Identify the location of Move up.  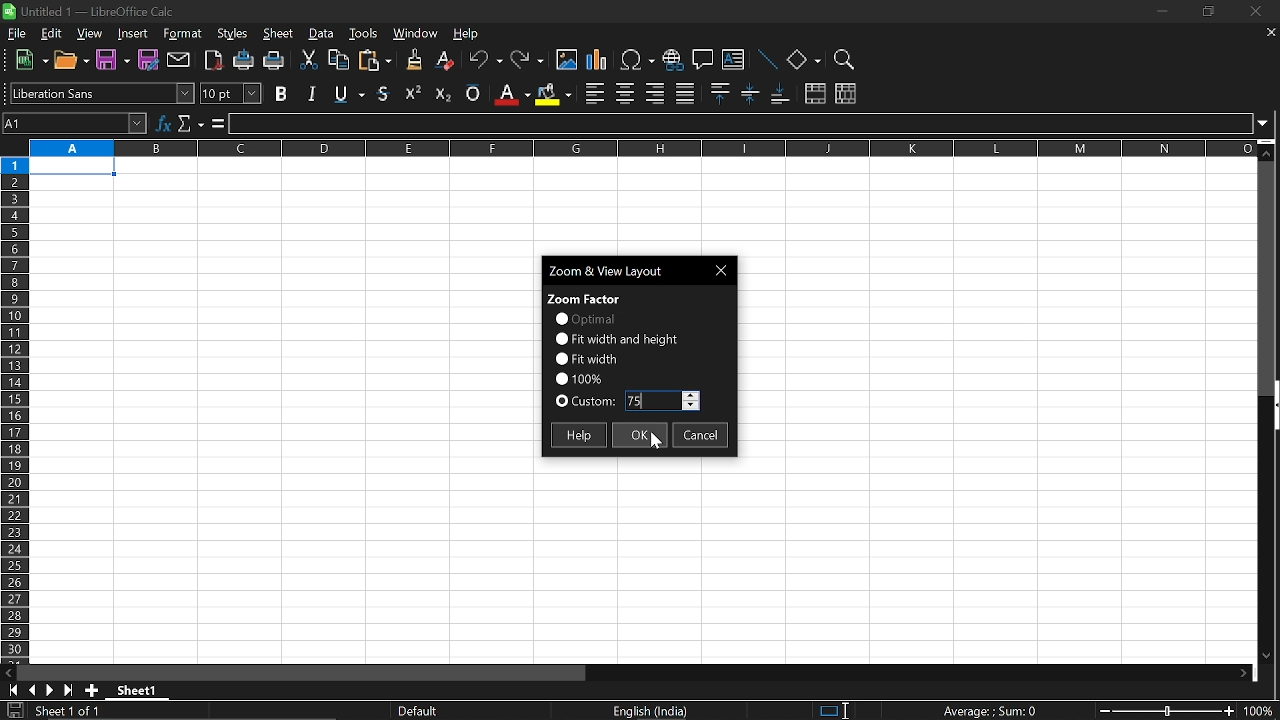
(1267, 153).